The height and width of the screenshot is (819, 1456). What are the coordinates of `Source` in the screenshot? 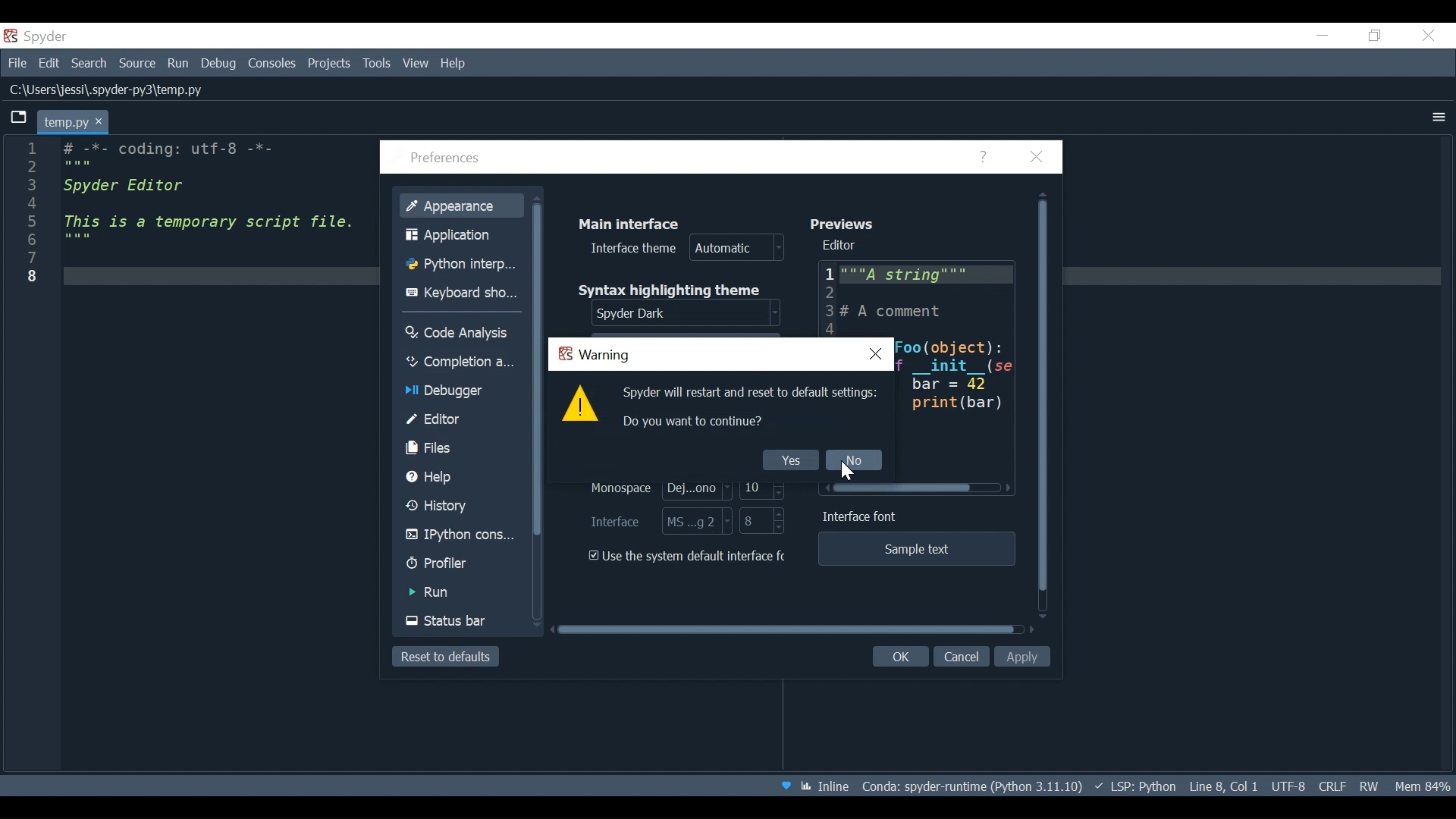 It's located at (138, 64).